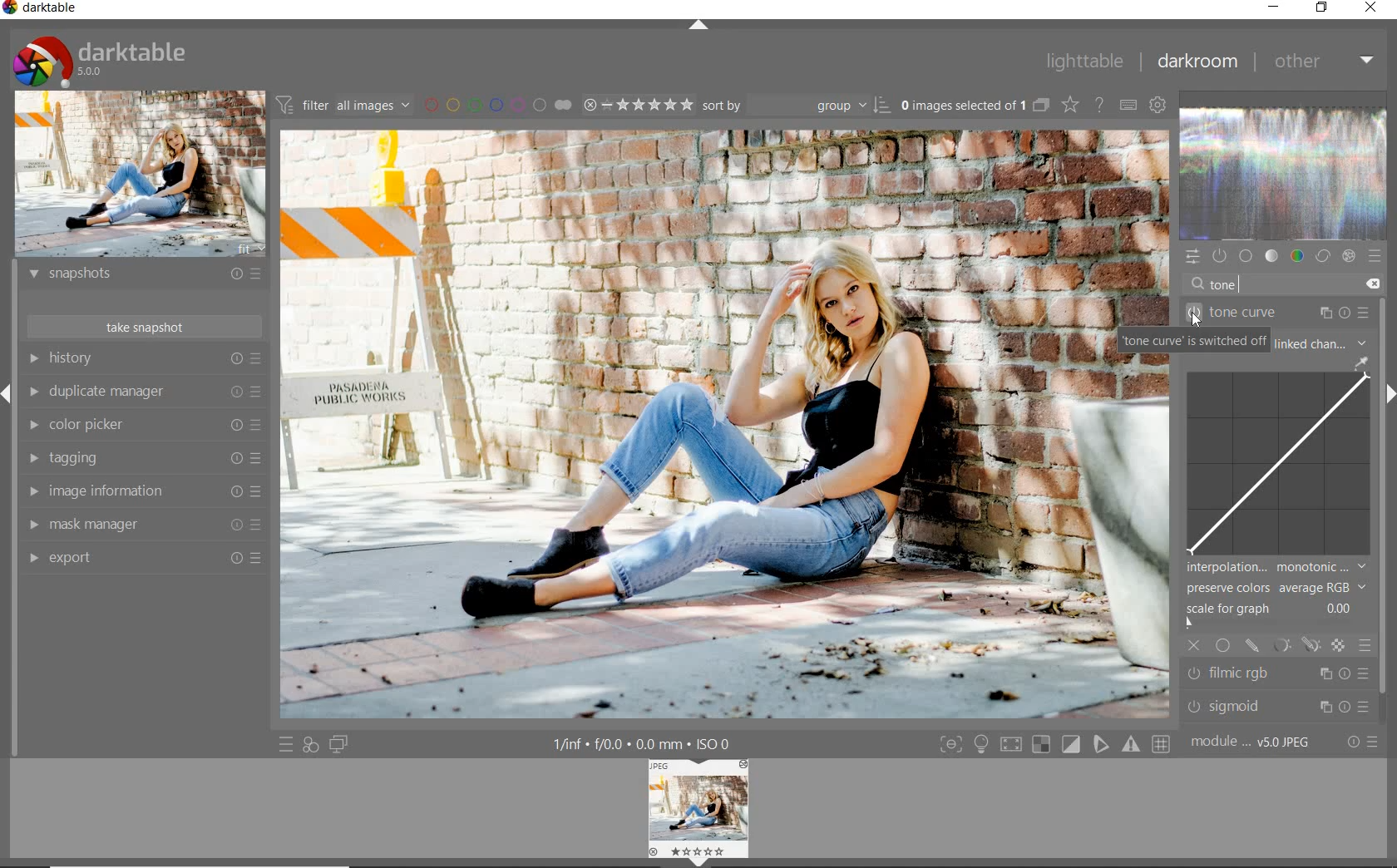 This screenshot has width=1397, height=868. What do you see at coordinates (141, 523) in the screenshot?
I see `mask manager` at bounding box center [141, 523].